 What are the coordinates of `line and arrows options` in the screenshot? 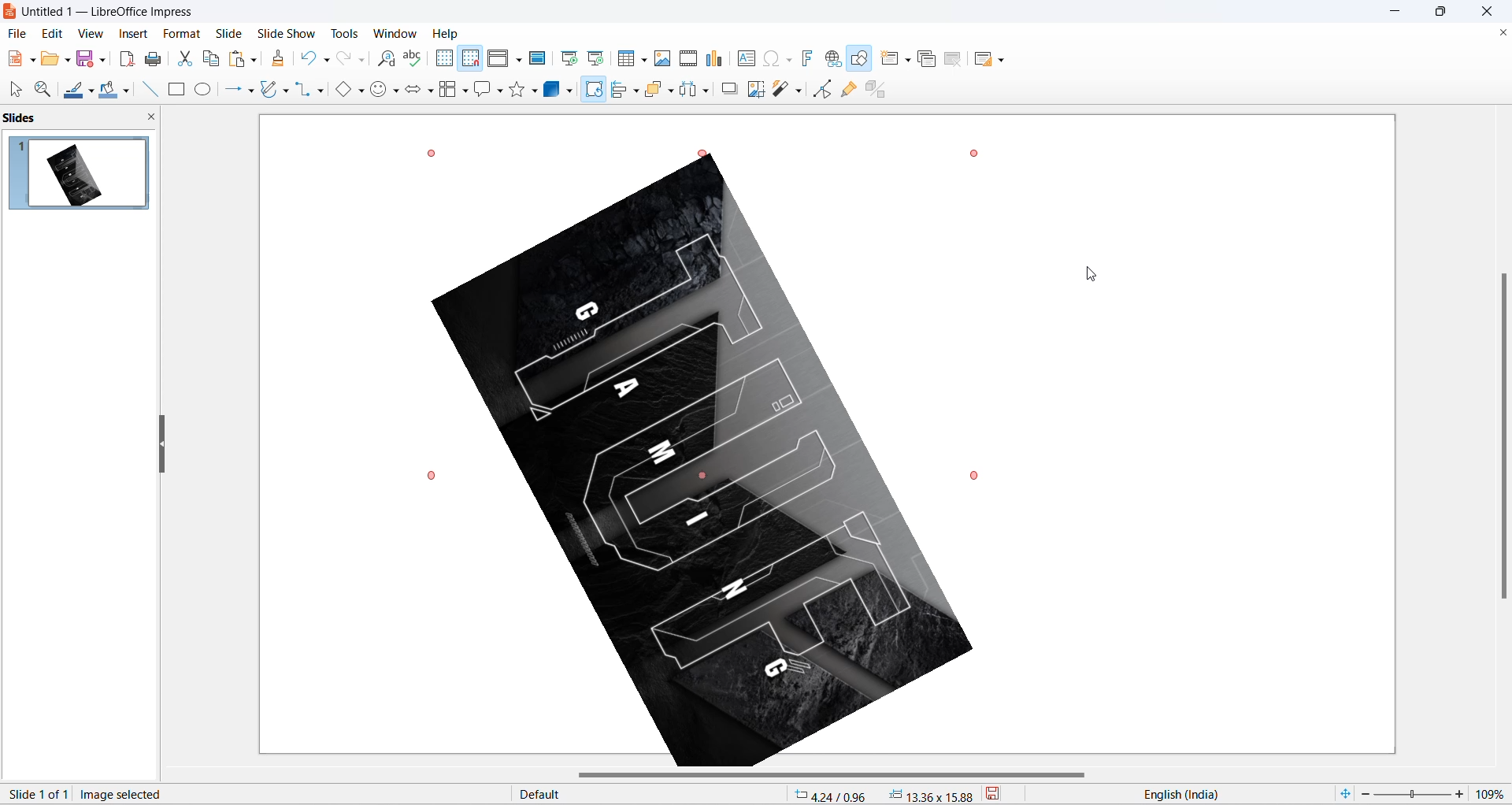 It's located at (250, 91).